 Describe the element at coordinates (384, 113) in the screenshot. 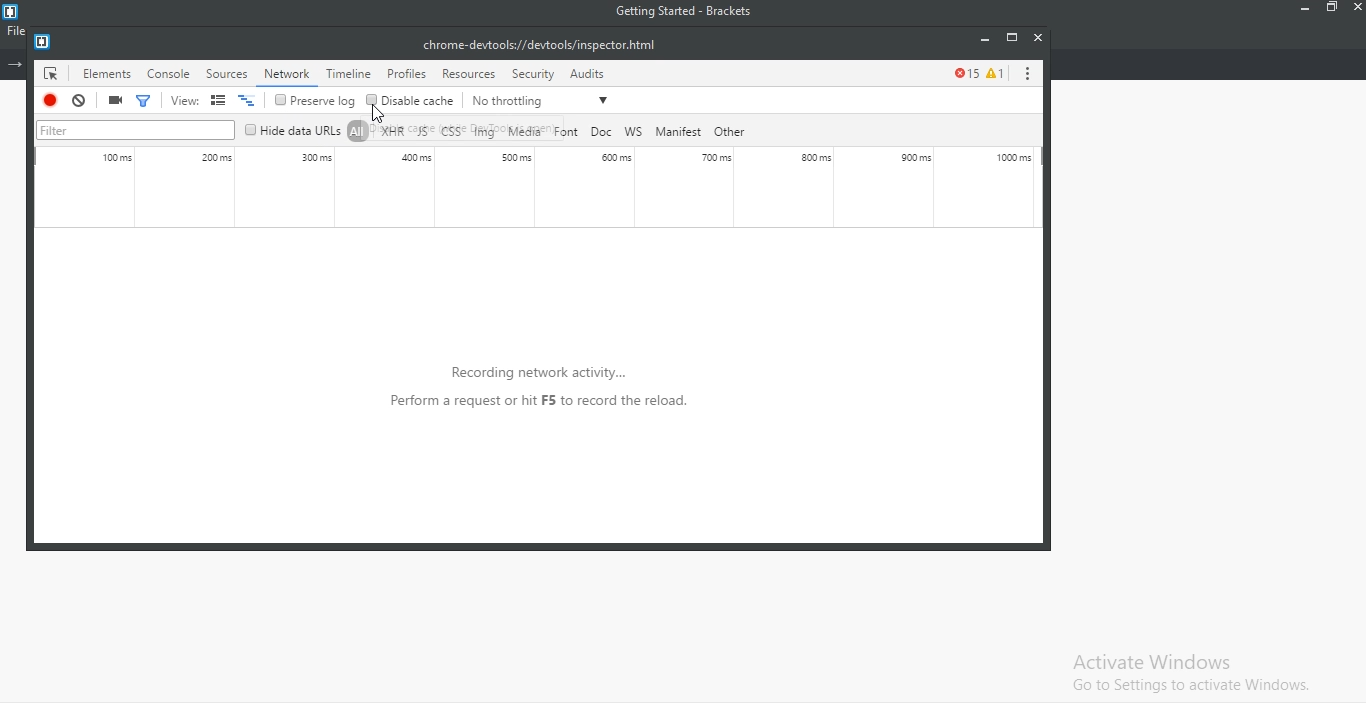

I see `cursor` at that location.